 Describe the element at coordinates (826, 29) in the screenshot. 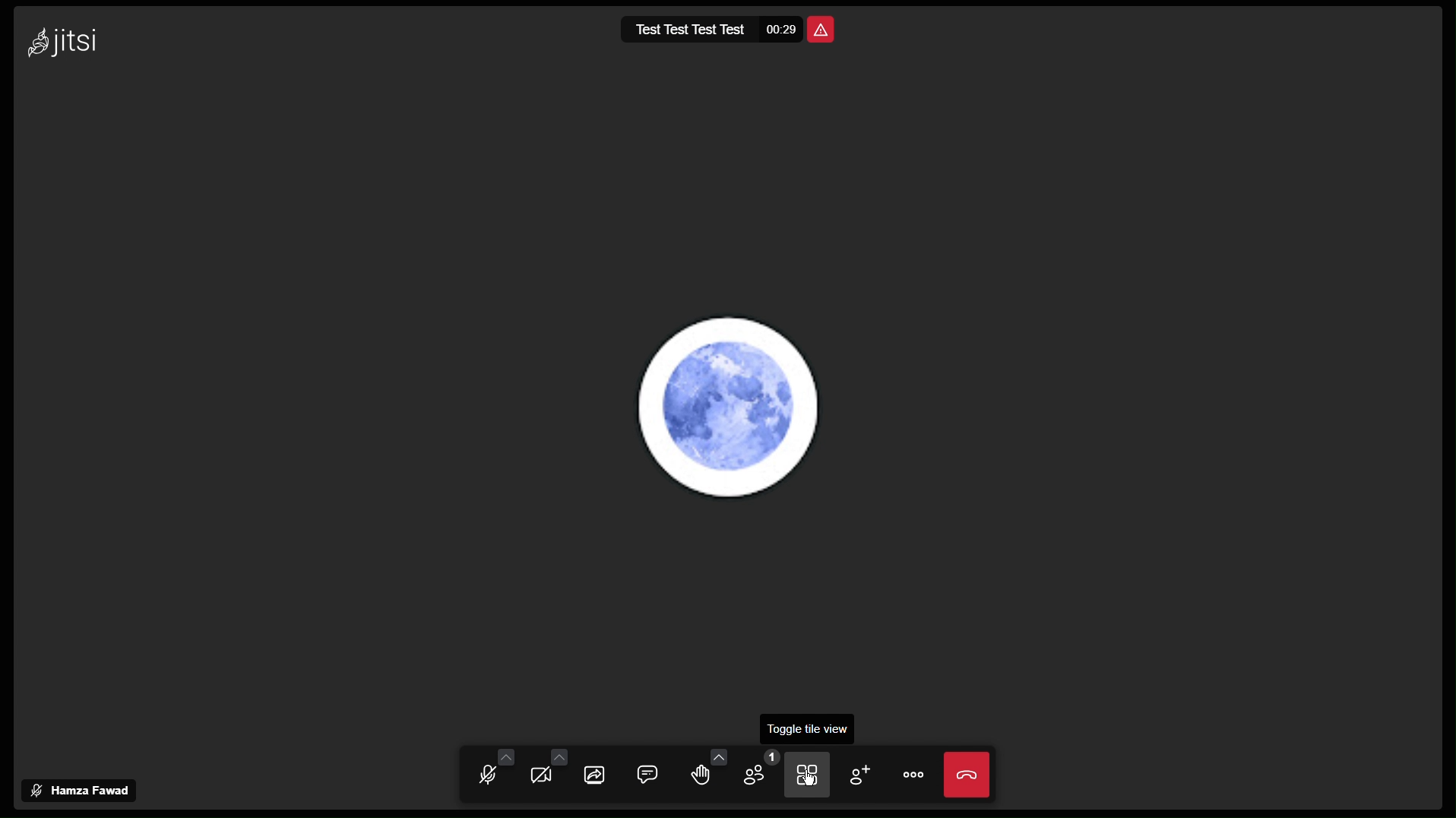

I see `Meeting Unsafe` at that location.